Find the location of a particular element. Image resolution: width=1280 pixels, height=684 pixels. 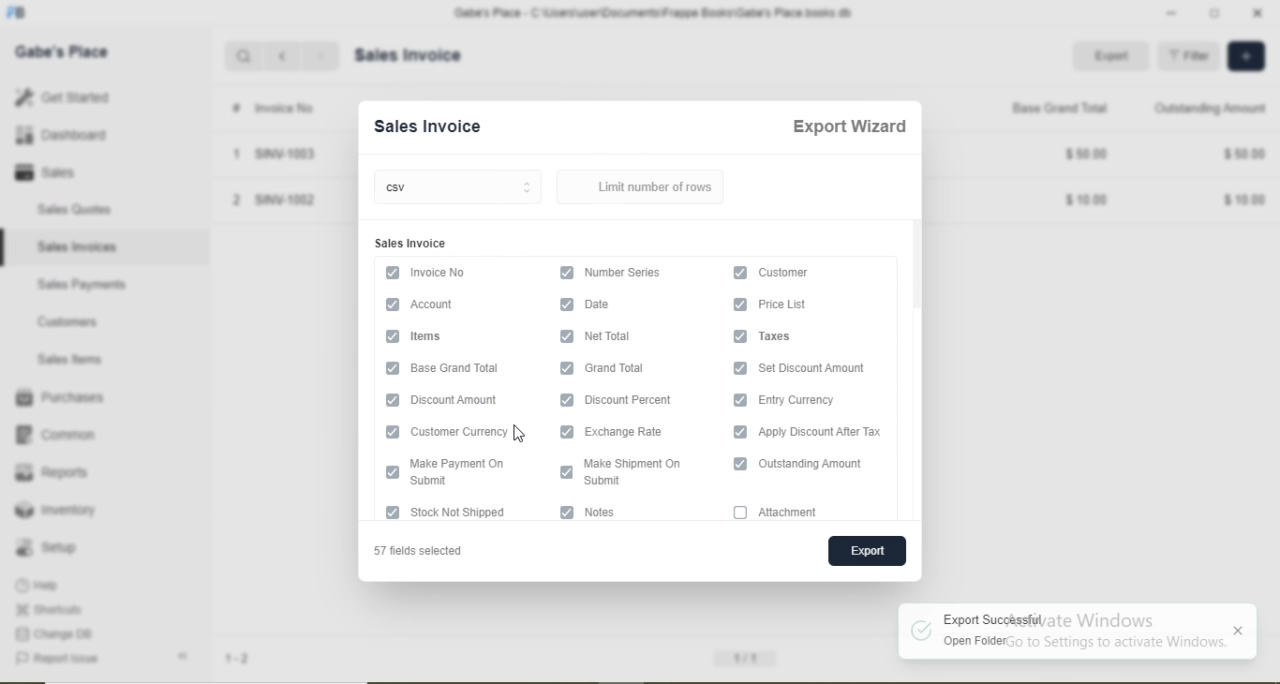

Export Wizard is located at coordinates (849, 127).